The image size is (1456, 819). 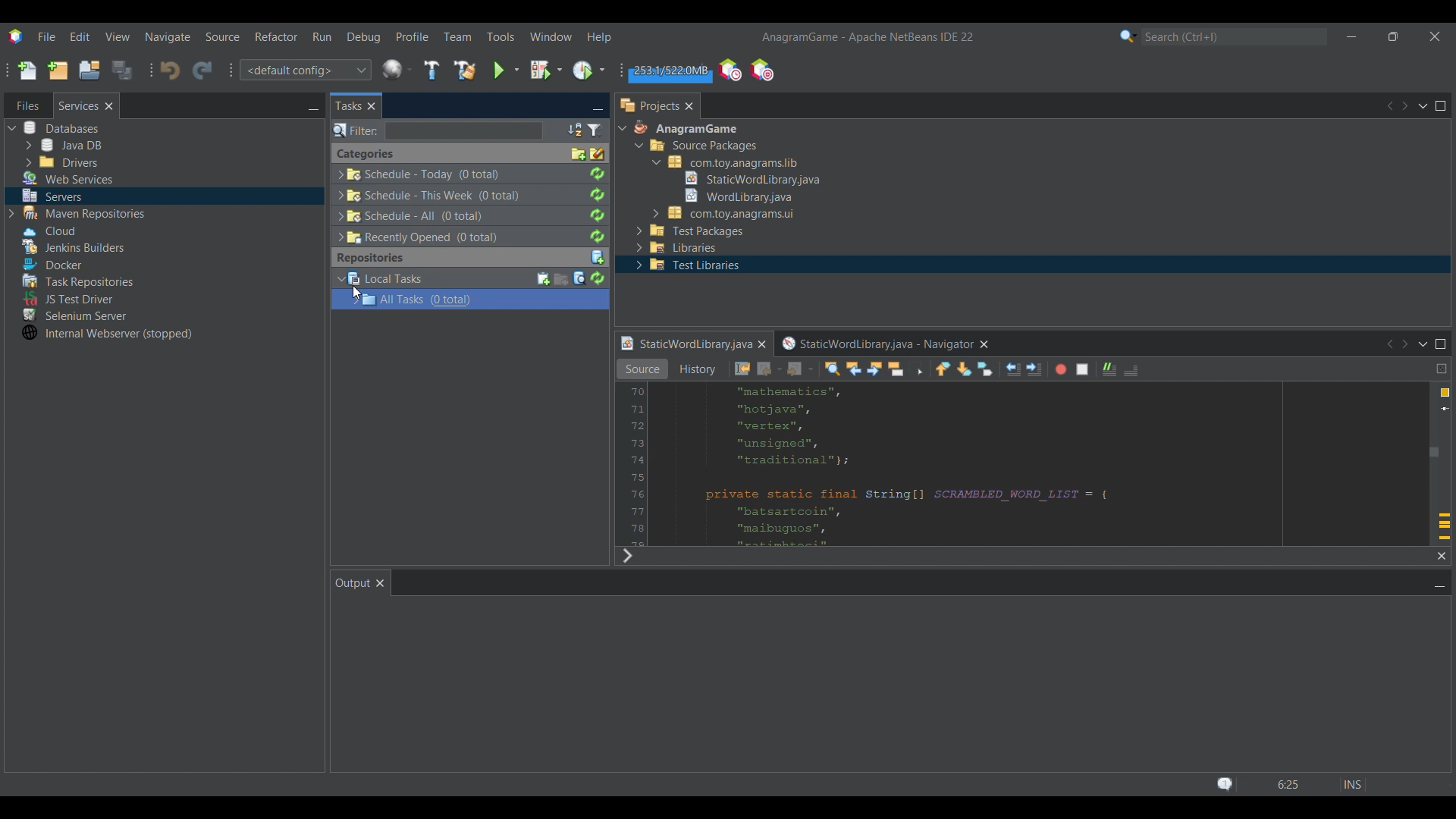 What do you see at coordinates (797, 369) in the screenshot?
I see `` at bounding box center [797, 369].